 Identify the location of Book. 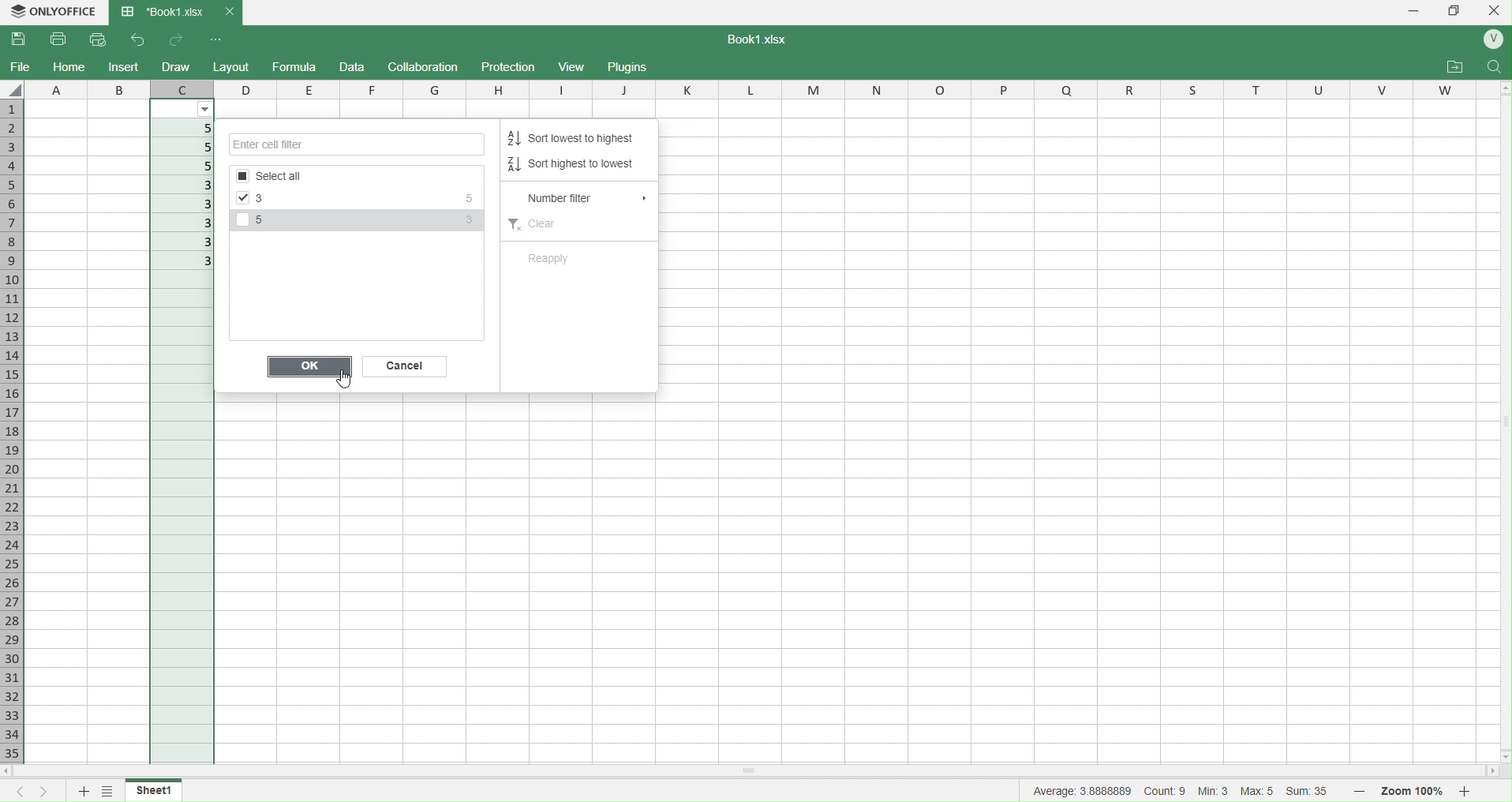
(174, 13).